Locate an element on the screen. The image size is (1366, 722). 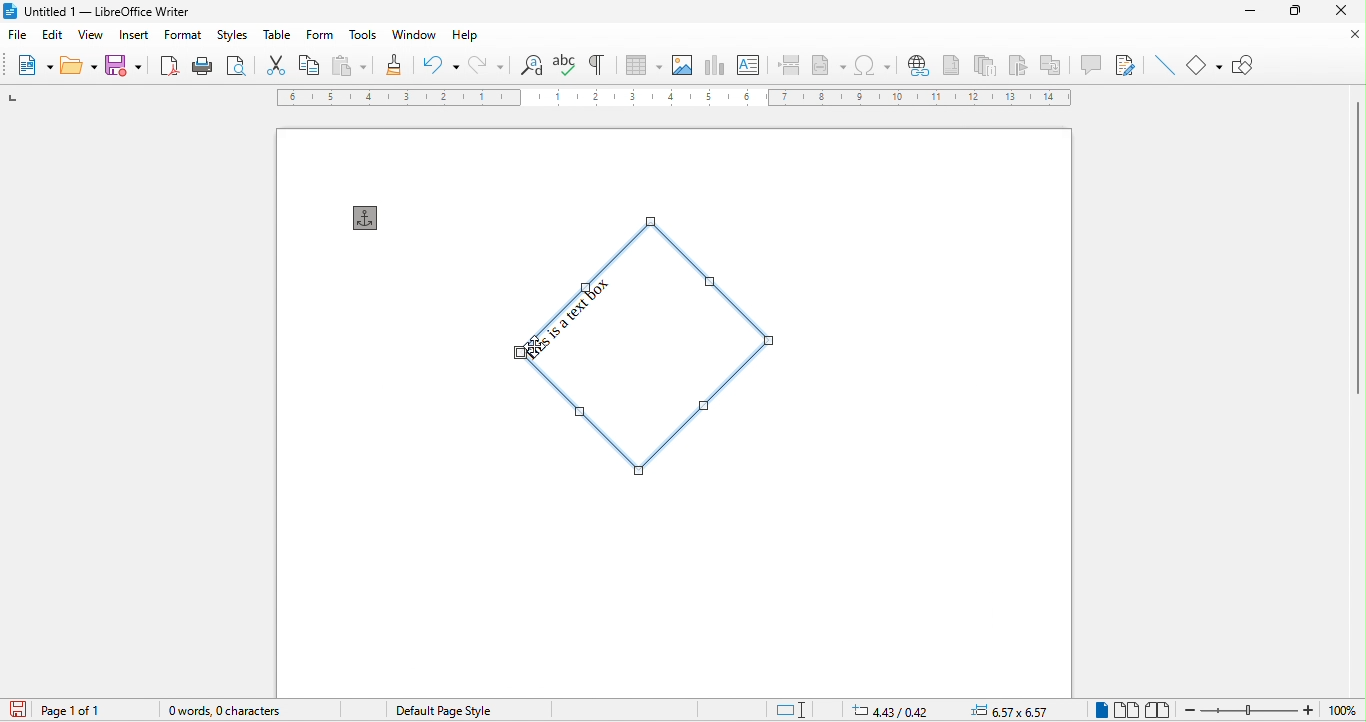
redo is located at coordinates (490, 67).